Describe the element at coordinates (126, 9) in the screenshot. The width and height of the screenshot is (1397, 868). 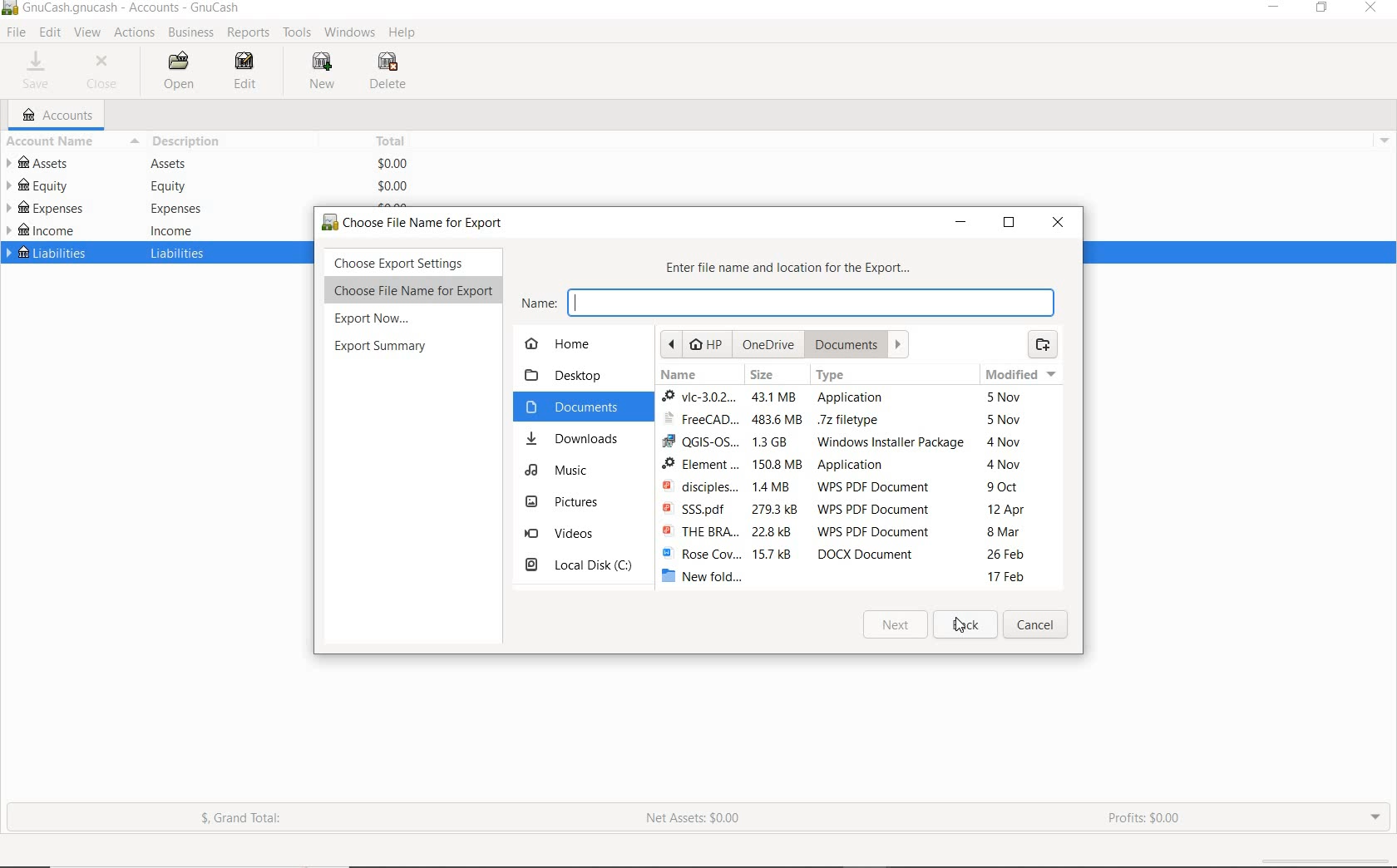
I see `SYSTEM NAME` at that location.